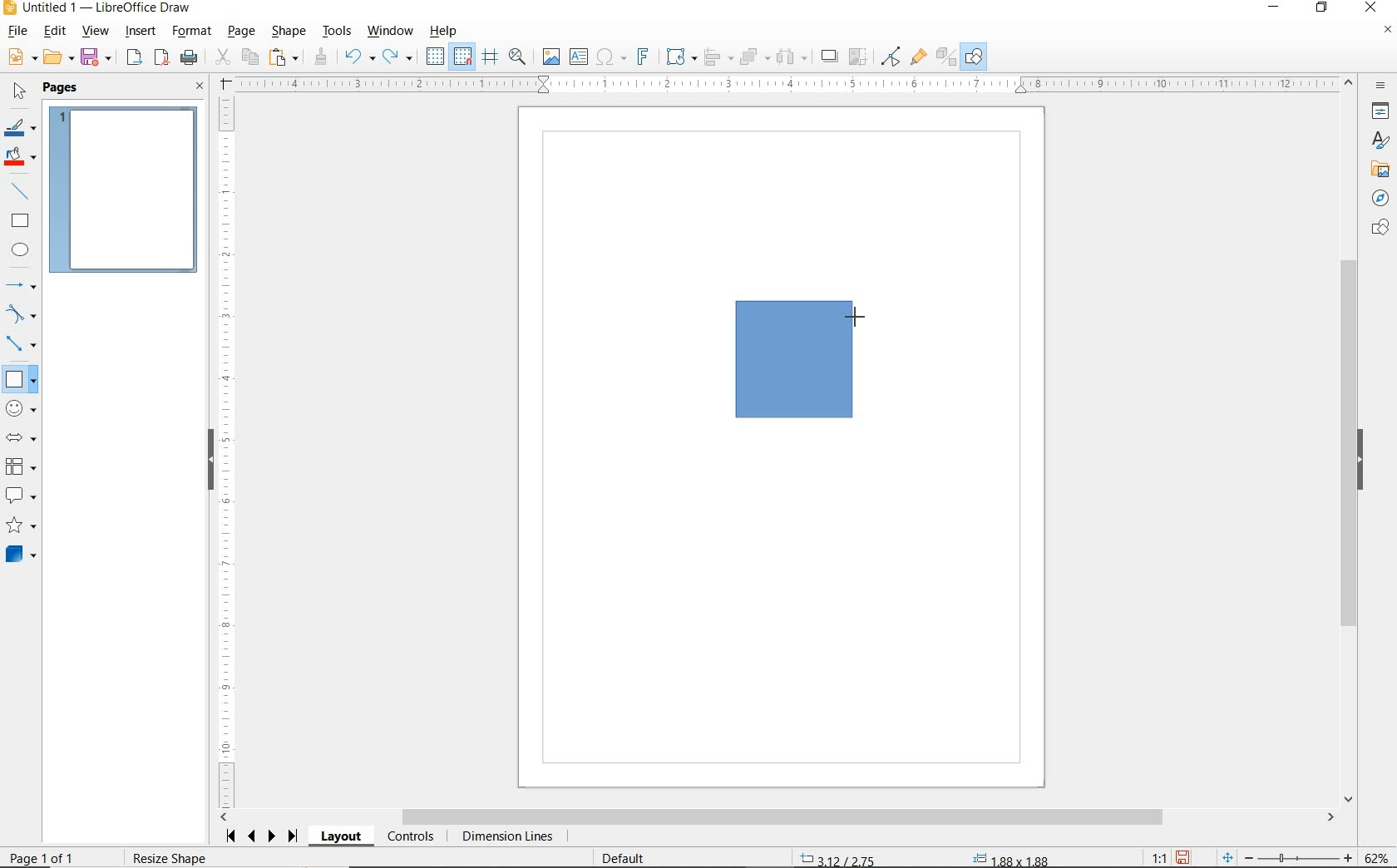  Describe the element at coordinates (792, 57) in the screenshot. I see `SELECT AT LEAST THREE OBJECTS TO DISTRIBUTE` at that location.